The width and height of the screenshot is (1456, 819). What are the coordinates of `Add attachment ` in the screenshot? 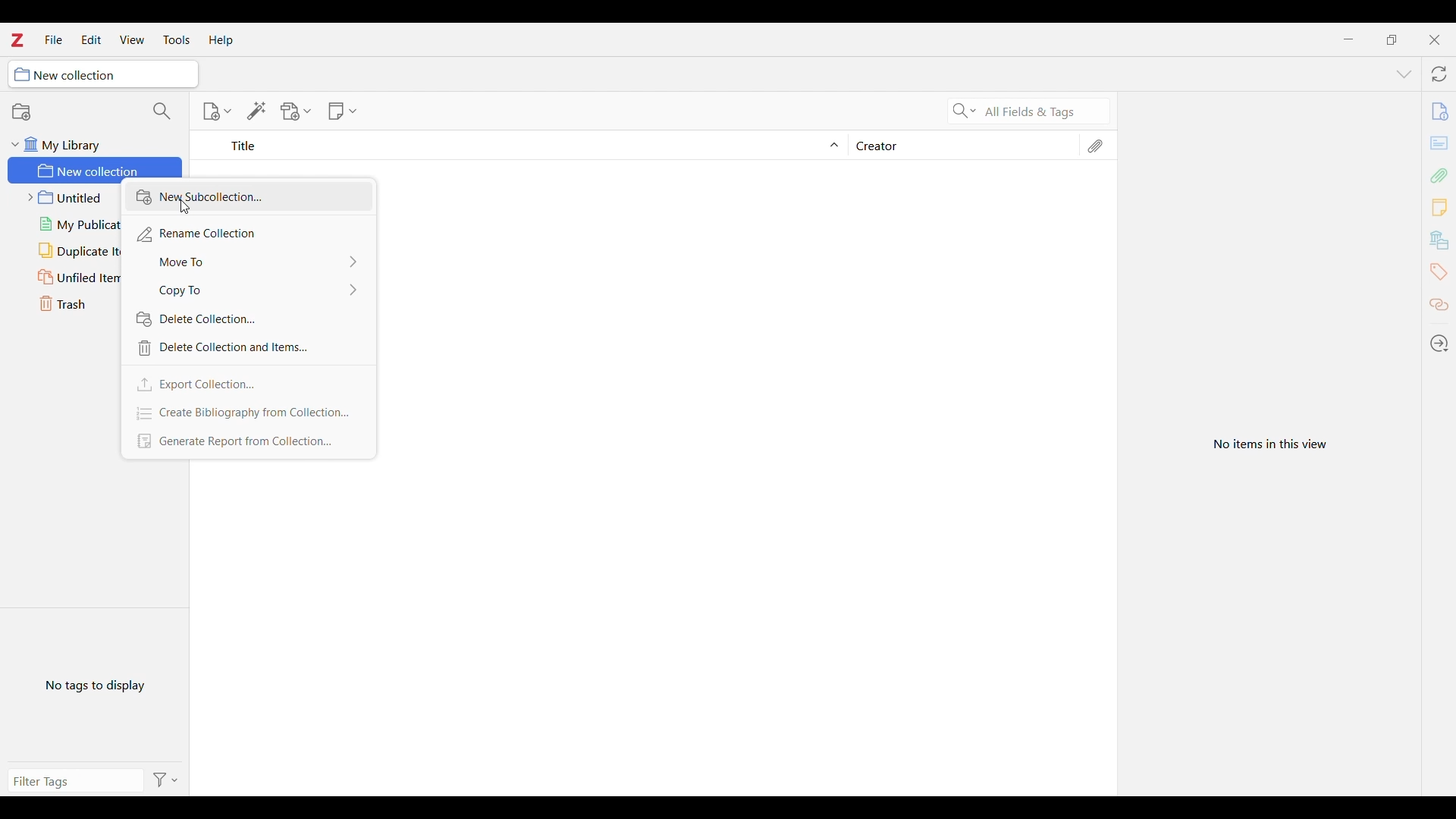 It's located at (1440, 175).